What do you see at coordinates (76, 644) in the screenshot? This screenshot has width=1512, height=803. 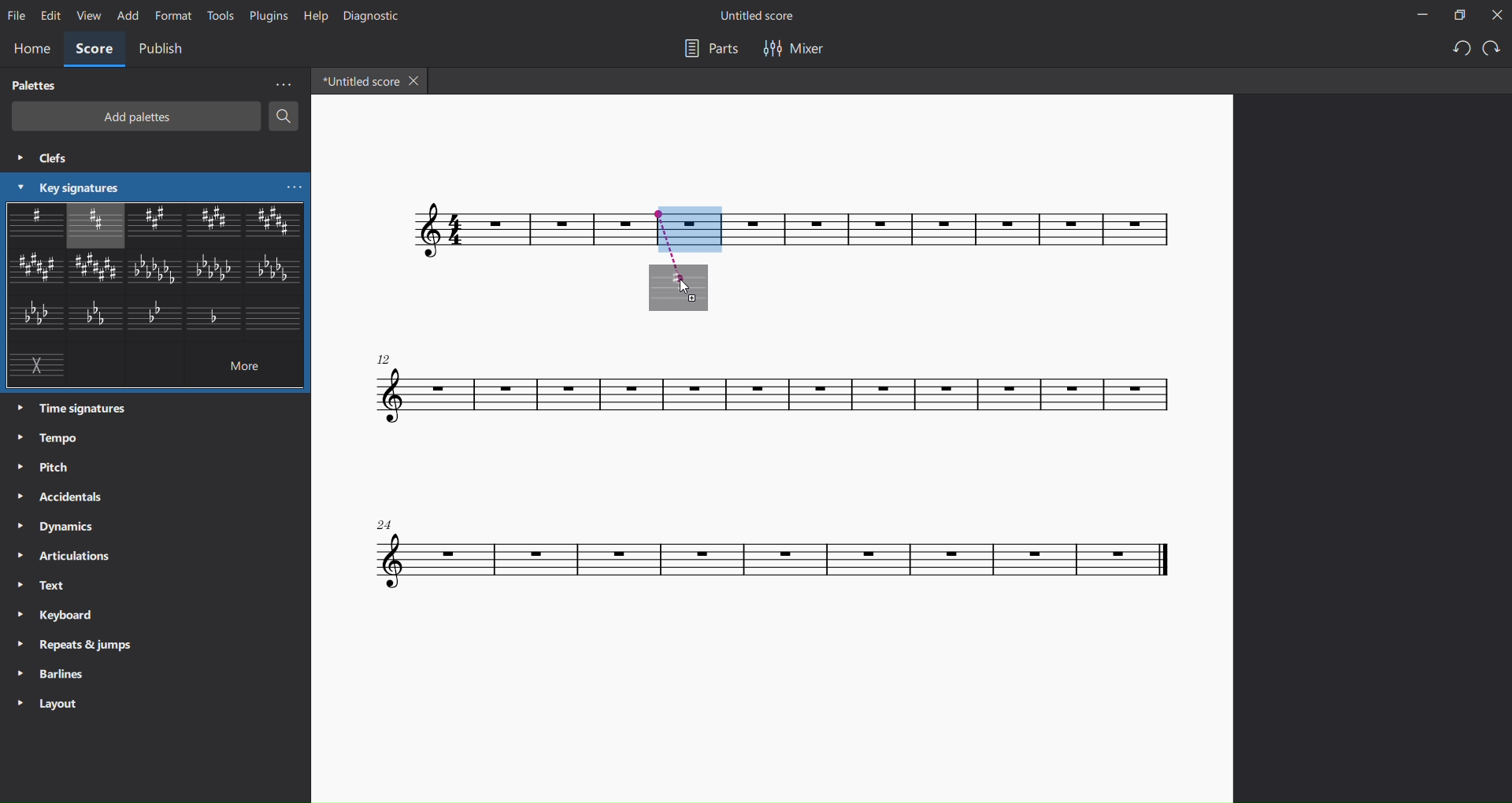 I see `repeats and jumps` at bounding box center [76, 644].